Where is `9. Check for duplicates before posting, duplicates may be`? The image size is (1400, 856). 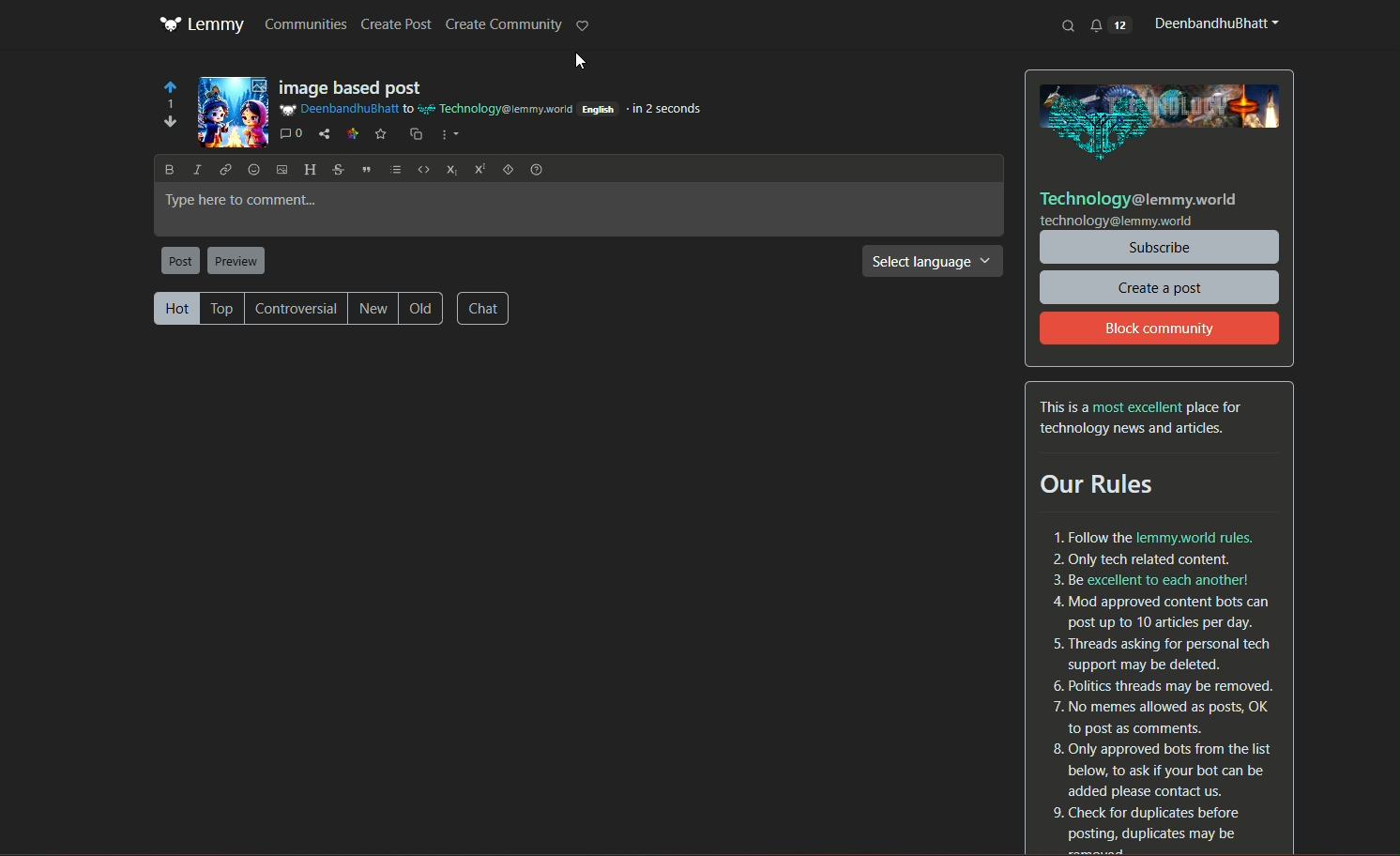
9. Check for duplicates before posting, duplicates may be is located at coordinates (1147, 824).